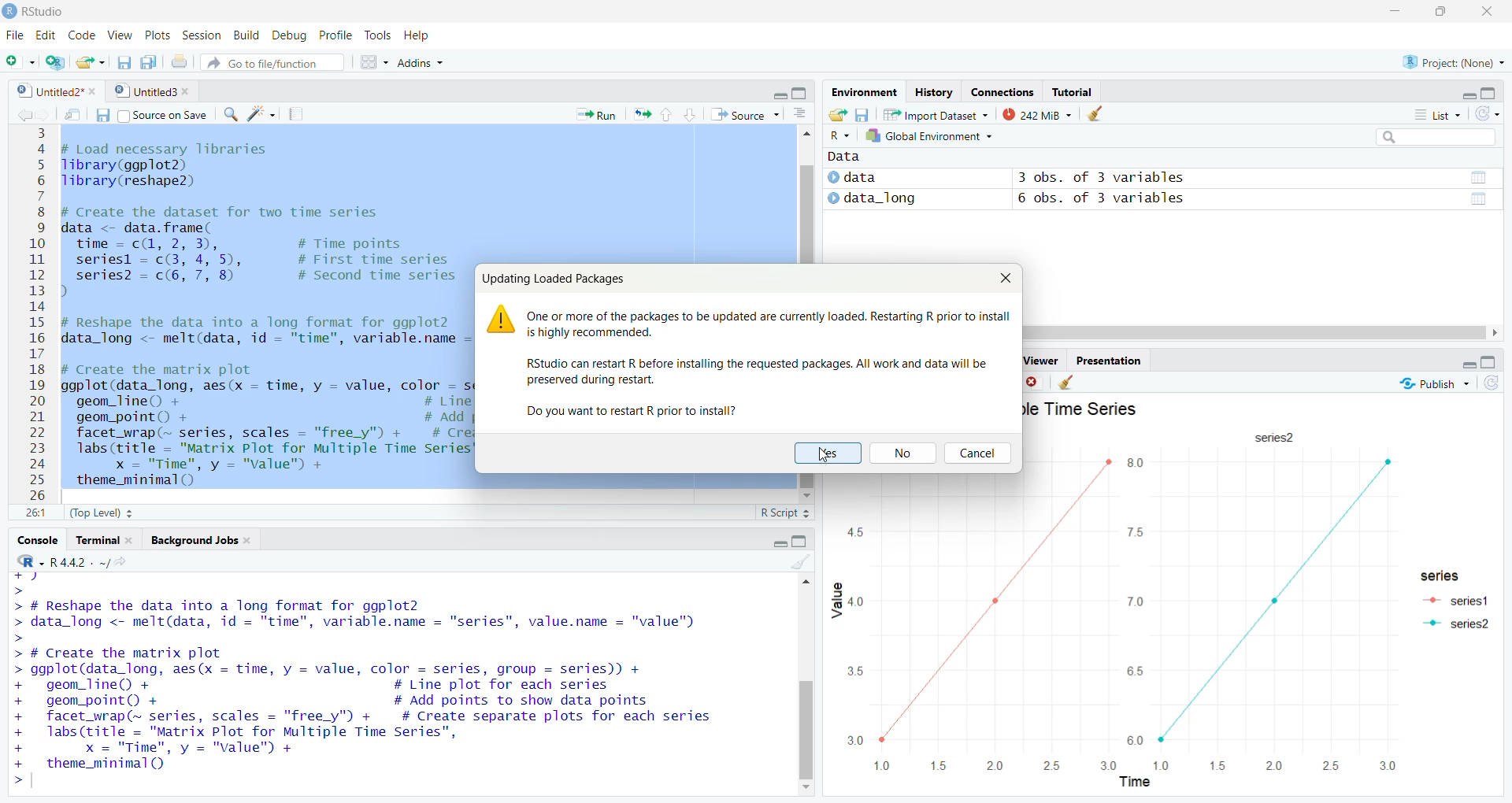 The width and height of the screenshot is (1512, 803). What do you see at coordinates (1487, 113) in the screenshot?
I see `Refresh Theme` at bounding box center [1487, 113].